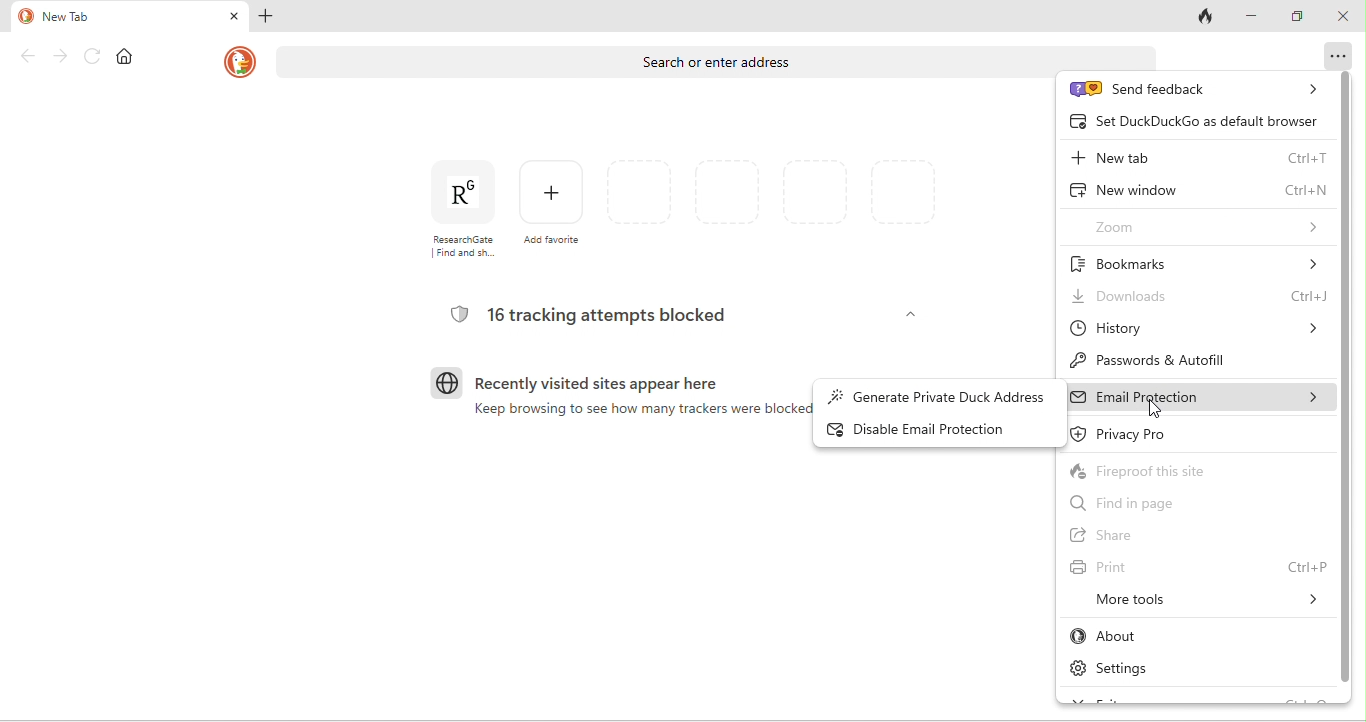  I want to click on forward, so click(58, 56).